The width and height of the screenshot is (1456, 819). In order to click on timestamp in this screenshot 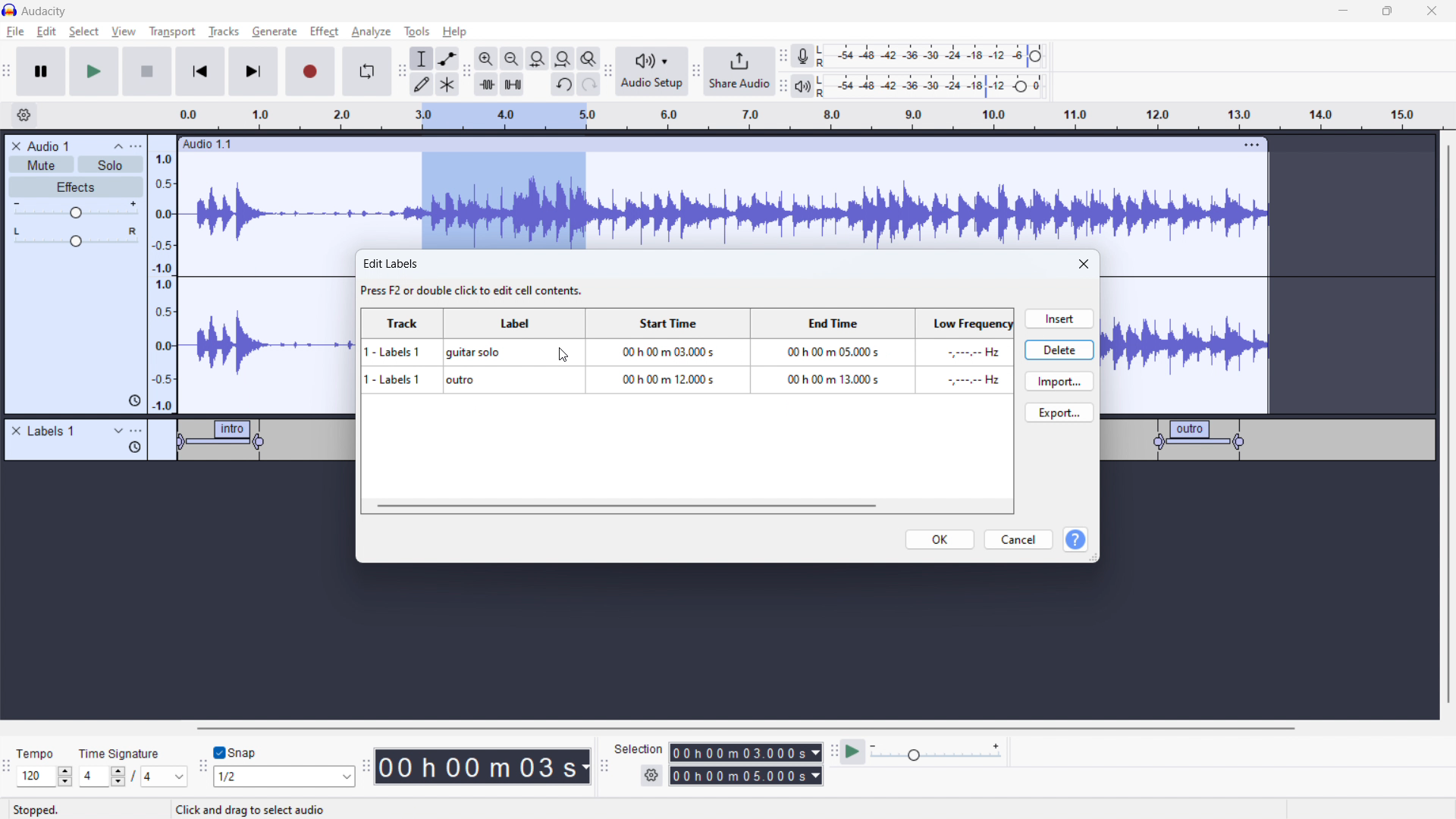, I will do `click(483, 765)`.